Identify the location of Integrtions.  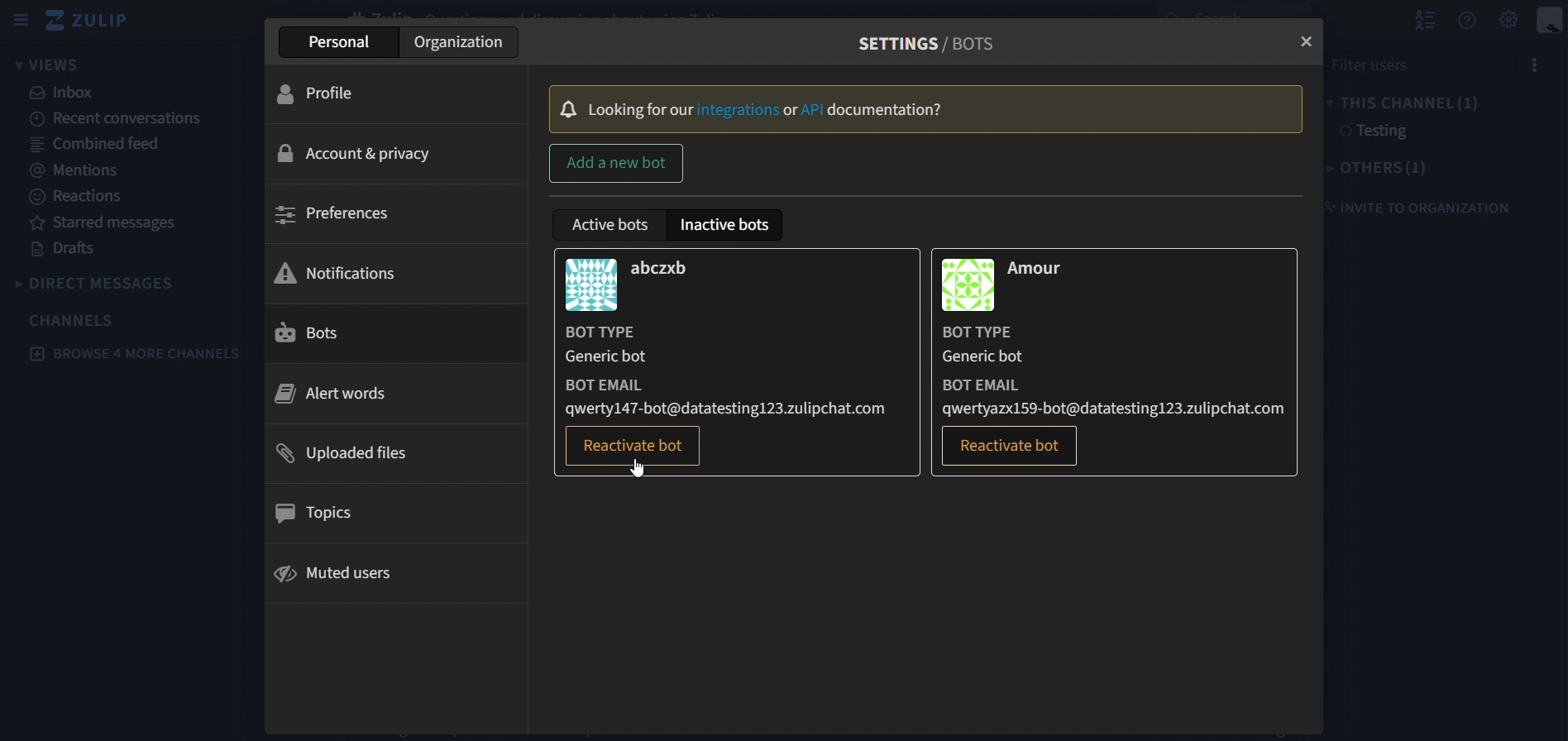
(739, 109).